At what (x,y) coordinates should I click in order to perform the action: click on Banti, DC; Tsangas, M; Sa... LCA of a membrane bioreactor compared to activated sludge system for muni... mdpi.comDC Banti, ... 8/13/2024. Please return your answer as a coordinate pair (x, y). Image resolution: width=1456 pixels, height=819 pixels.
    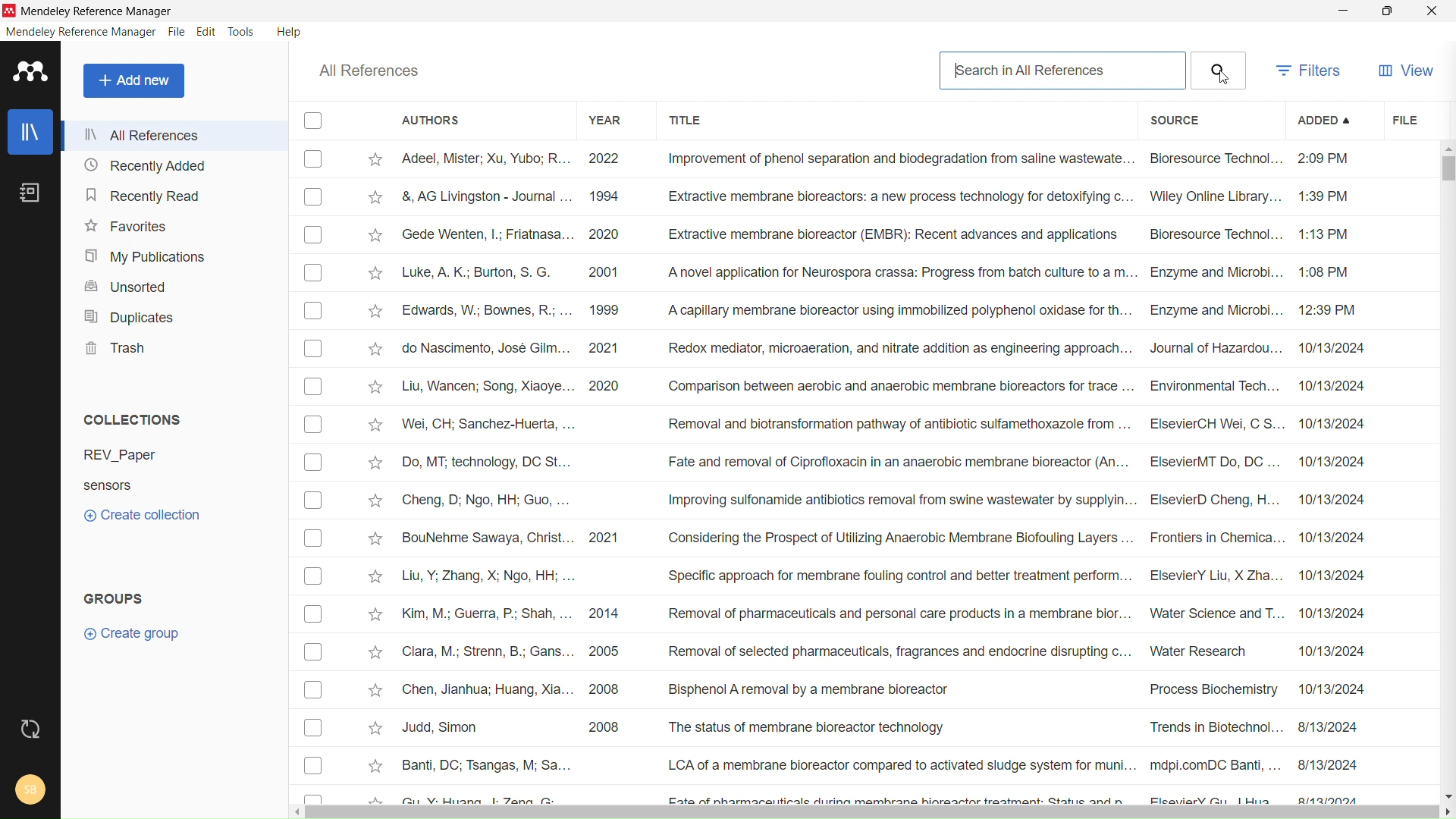
    Looking at the image, I should click on (881, 761).